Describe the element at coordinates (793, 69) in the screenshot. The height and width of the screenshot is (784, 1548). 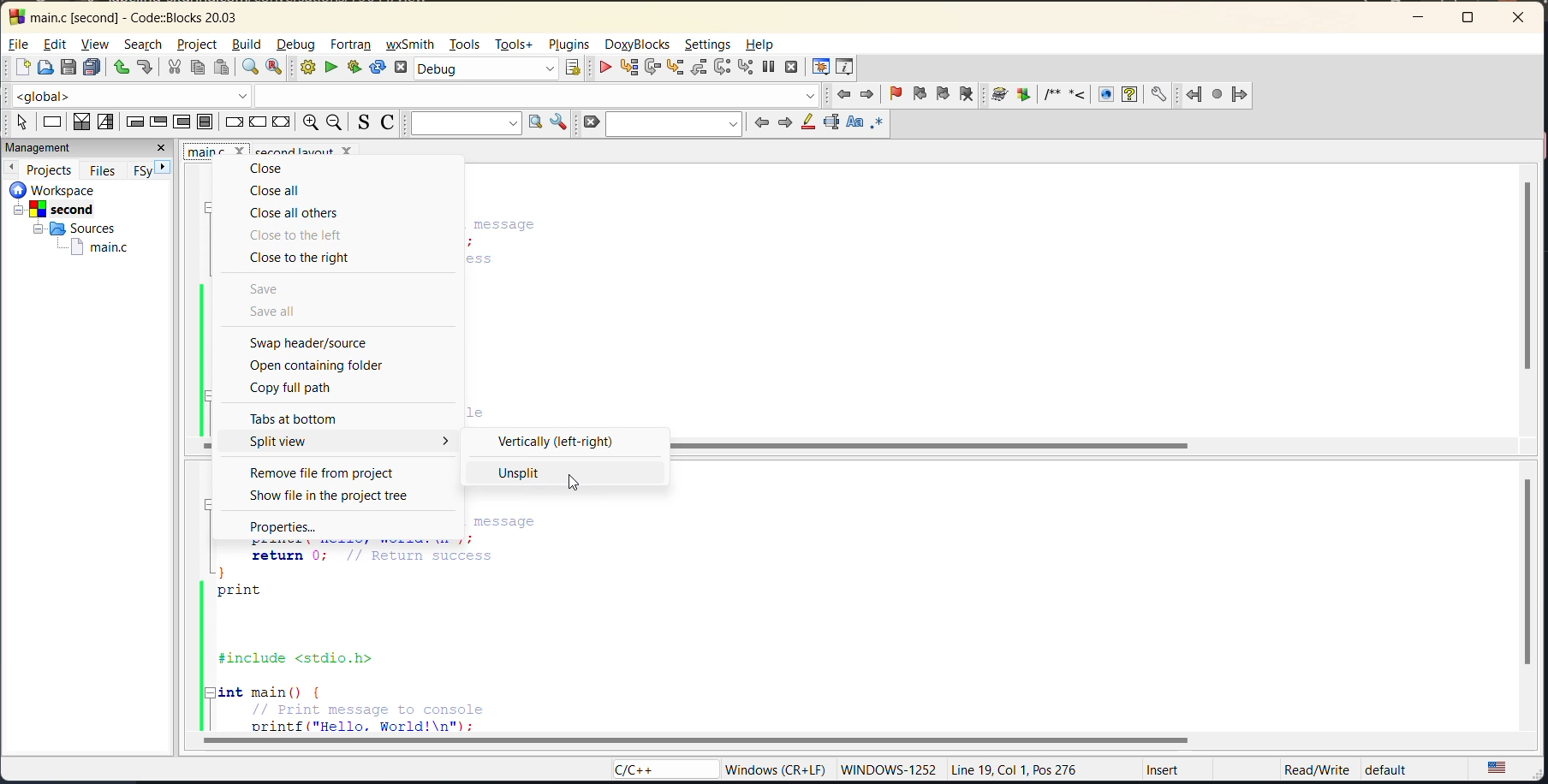
I see `stop debugger` at that location.